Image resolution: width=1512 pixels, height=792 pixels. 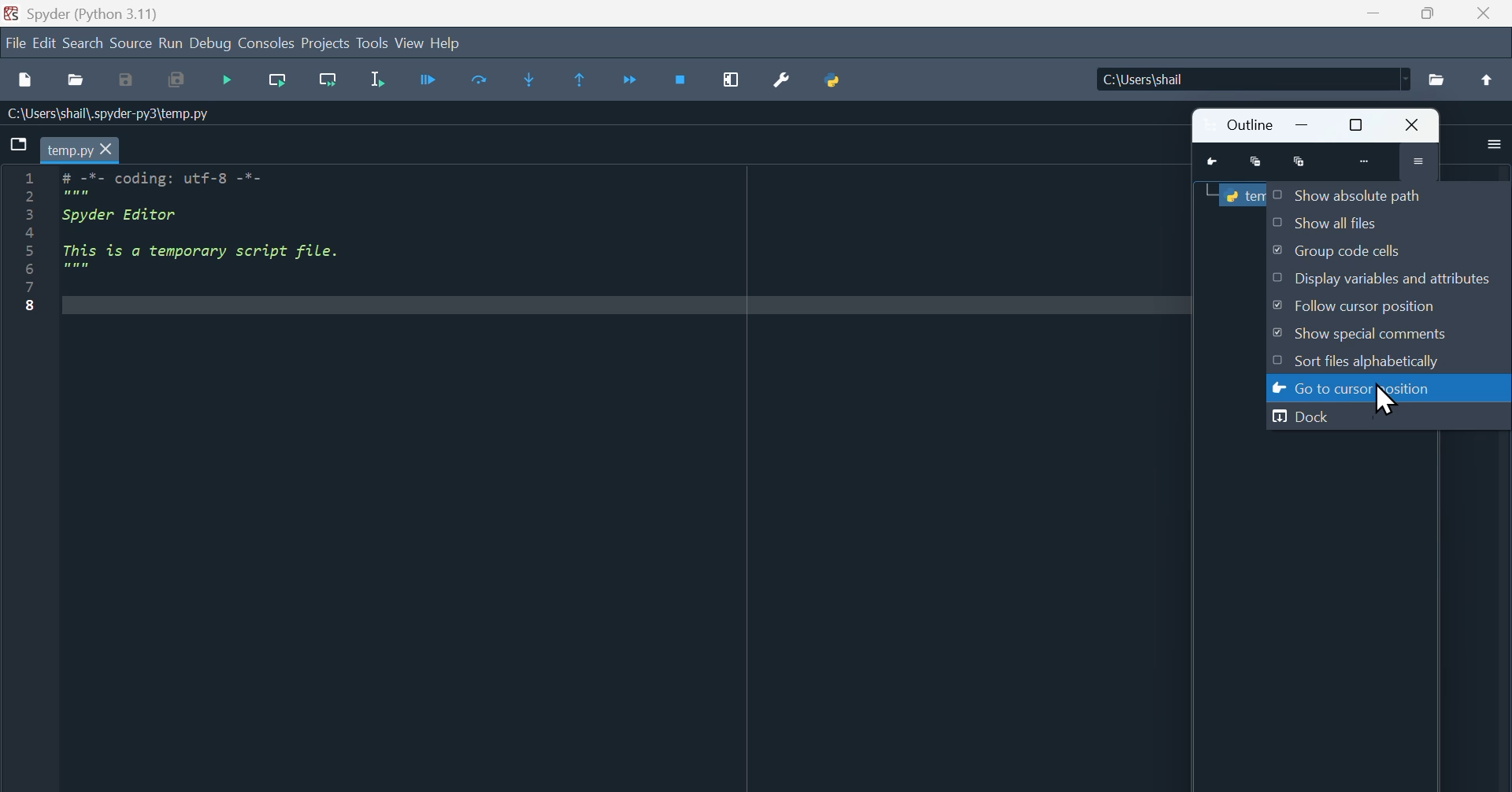 What do you see at coordinates (1241, 194) in the screenshot?
I see `Python console` at bounding box center [1241, 194].